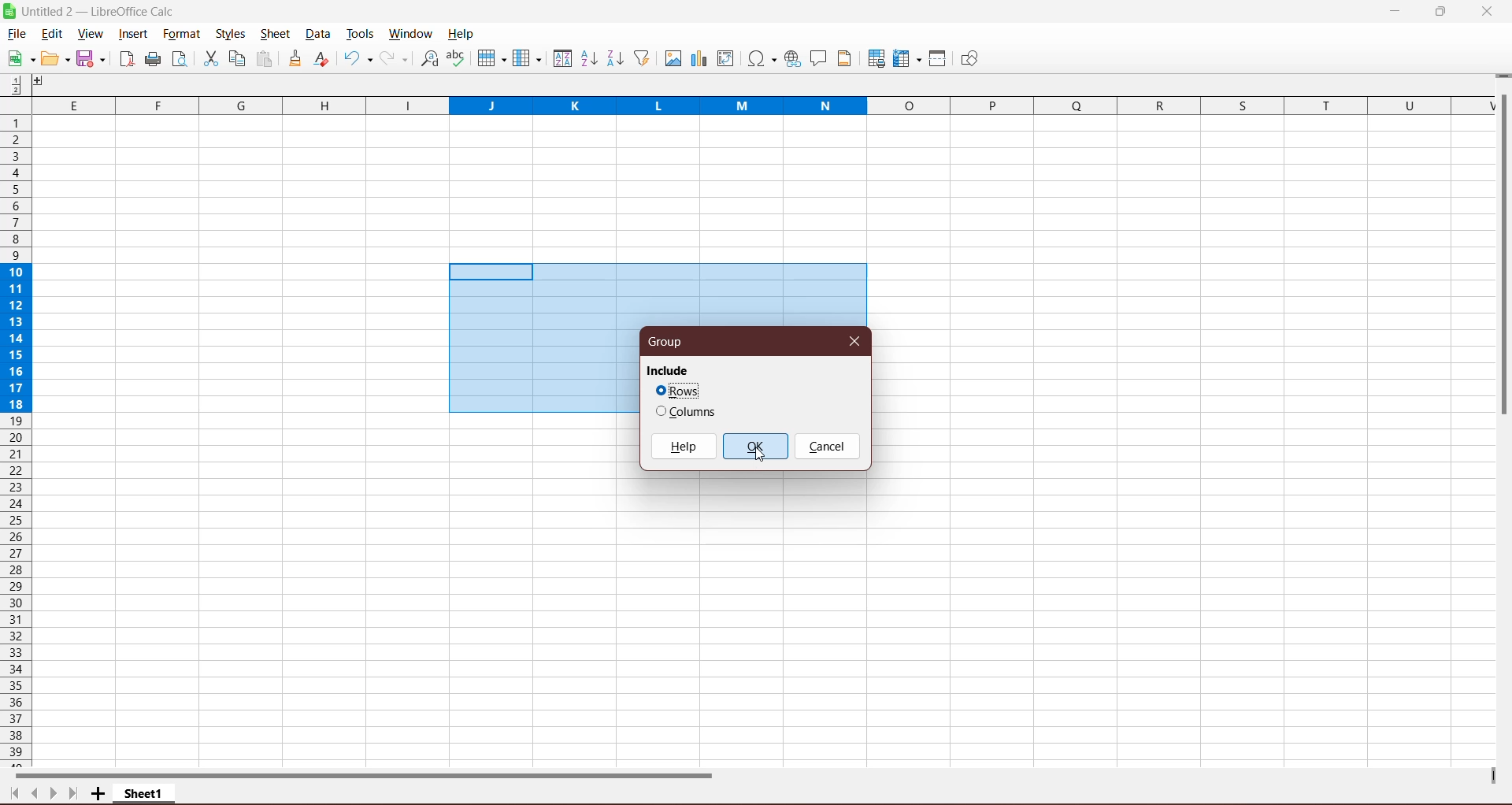 This screenshot has width=1512, height=805. I want to click on Styles, so click(232, 35).